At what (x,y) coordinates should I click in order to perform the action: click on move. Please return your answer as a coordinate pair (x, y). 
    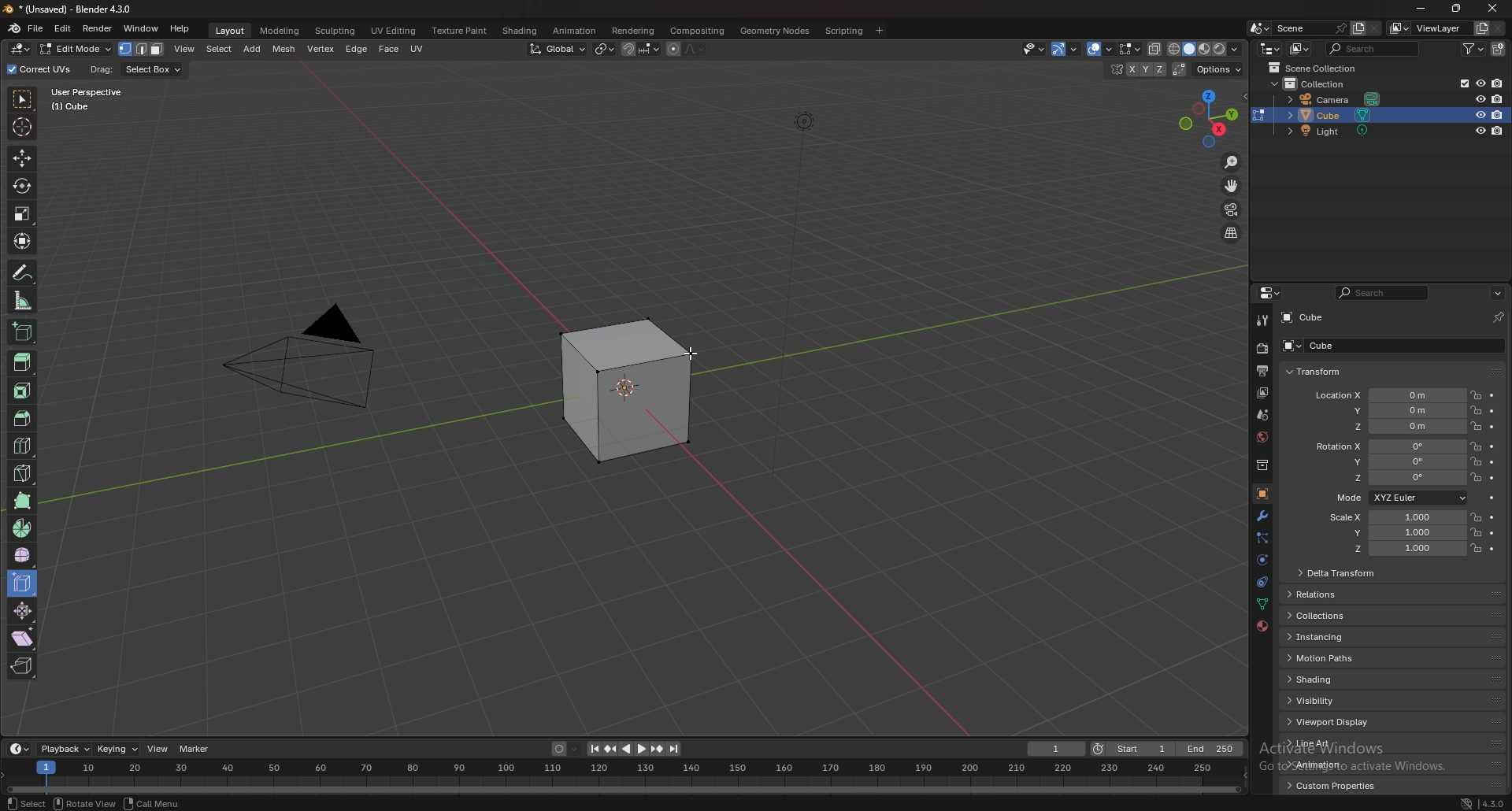
    Looking at the image, I should click on (23, 157).